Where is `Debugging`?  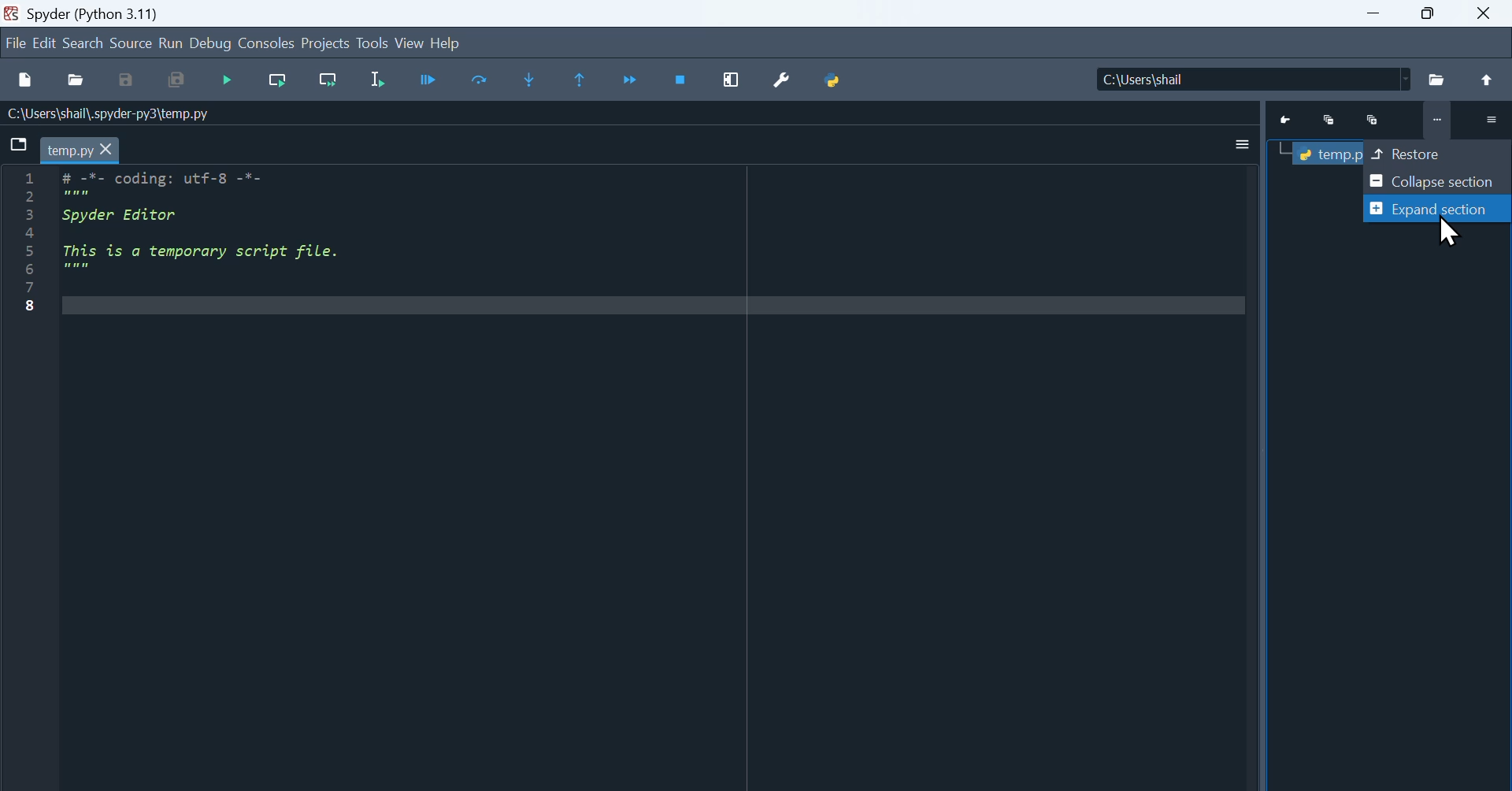 Debugging is located at coordinates (230, 83).